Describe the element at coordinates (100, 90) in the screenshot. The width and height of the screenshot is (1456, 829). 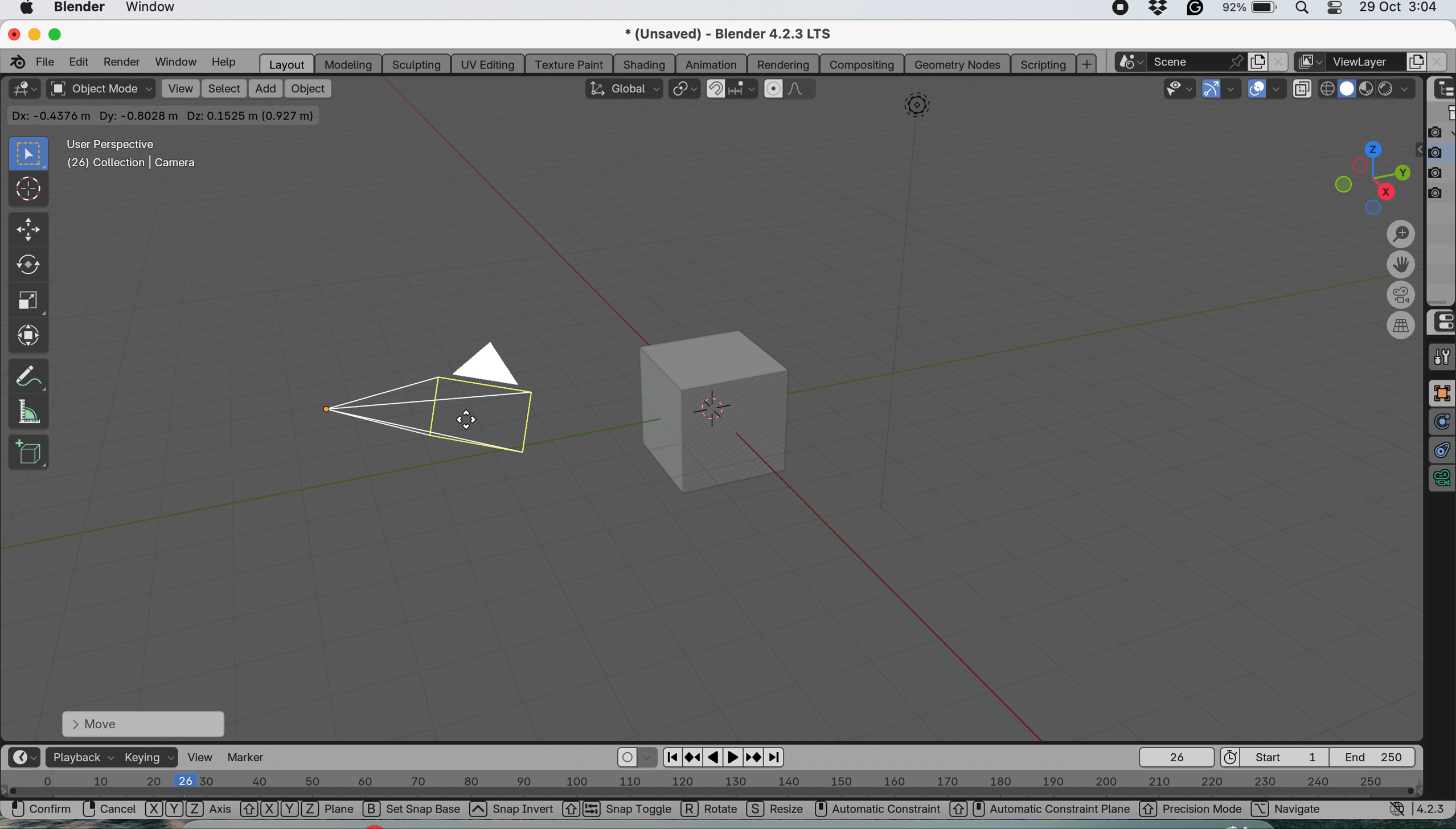
I see `object mode` at that location.